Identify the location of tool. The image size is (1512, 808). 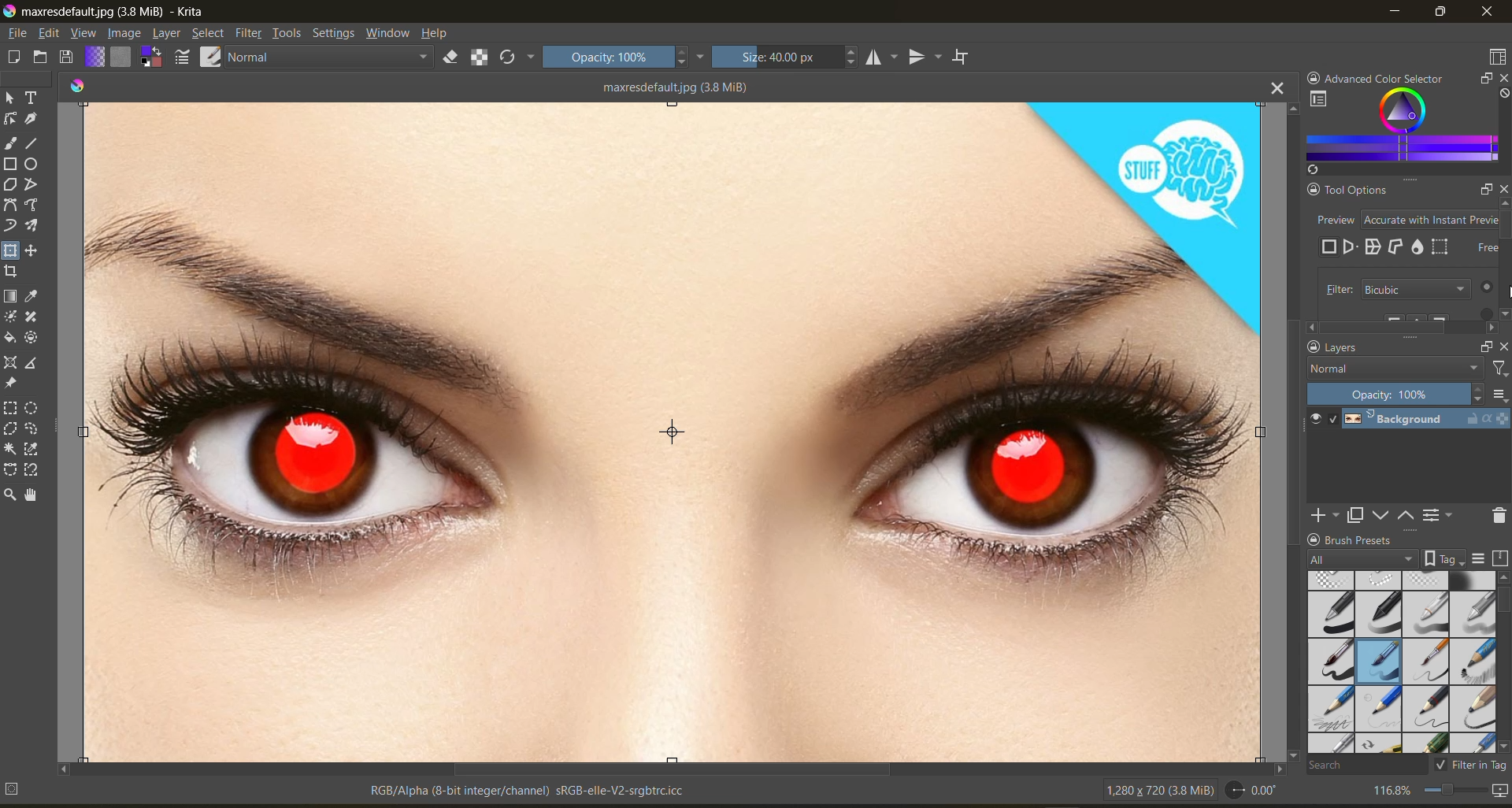
(31, 410).